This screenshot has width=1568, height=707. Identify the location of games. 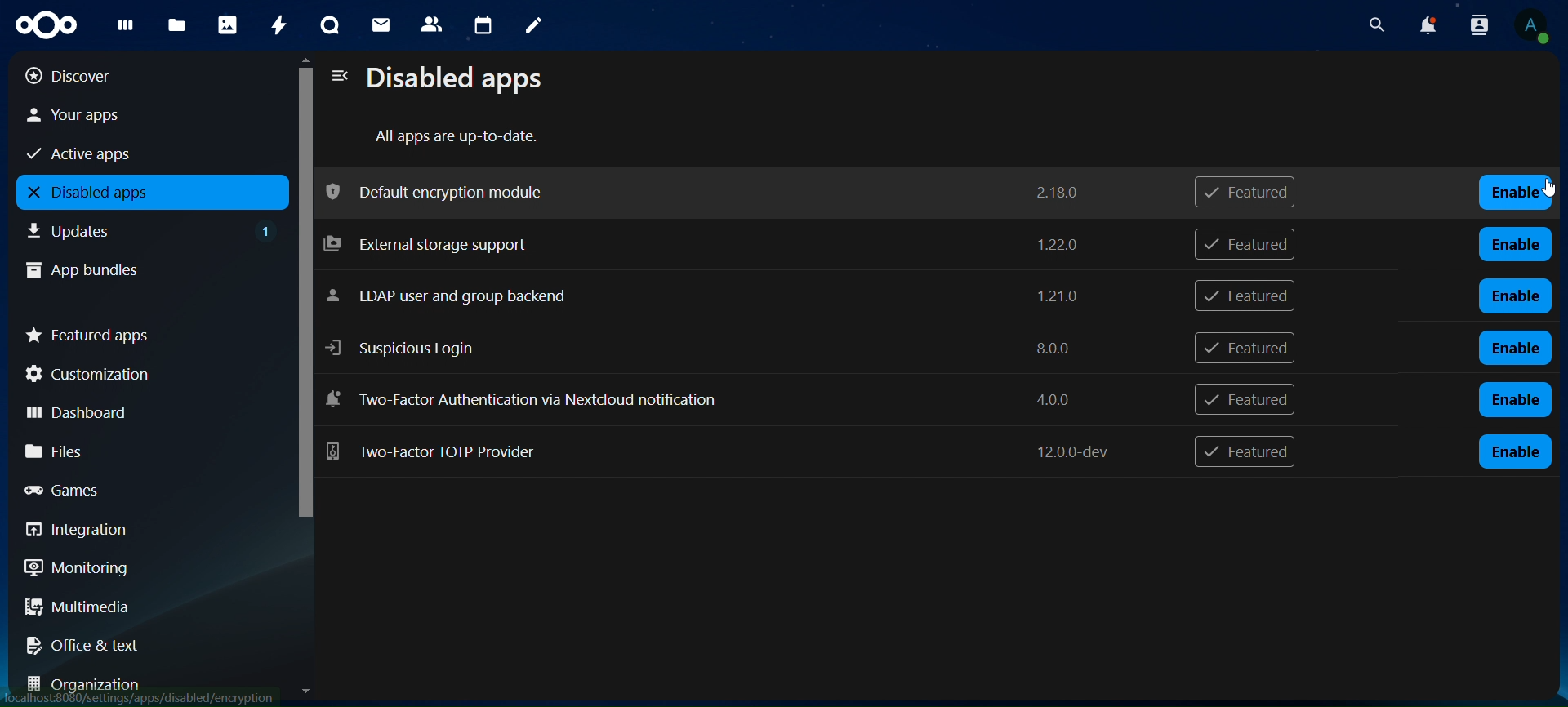
(141, 489).